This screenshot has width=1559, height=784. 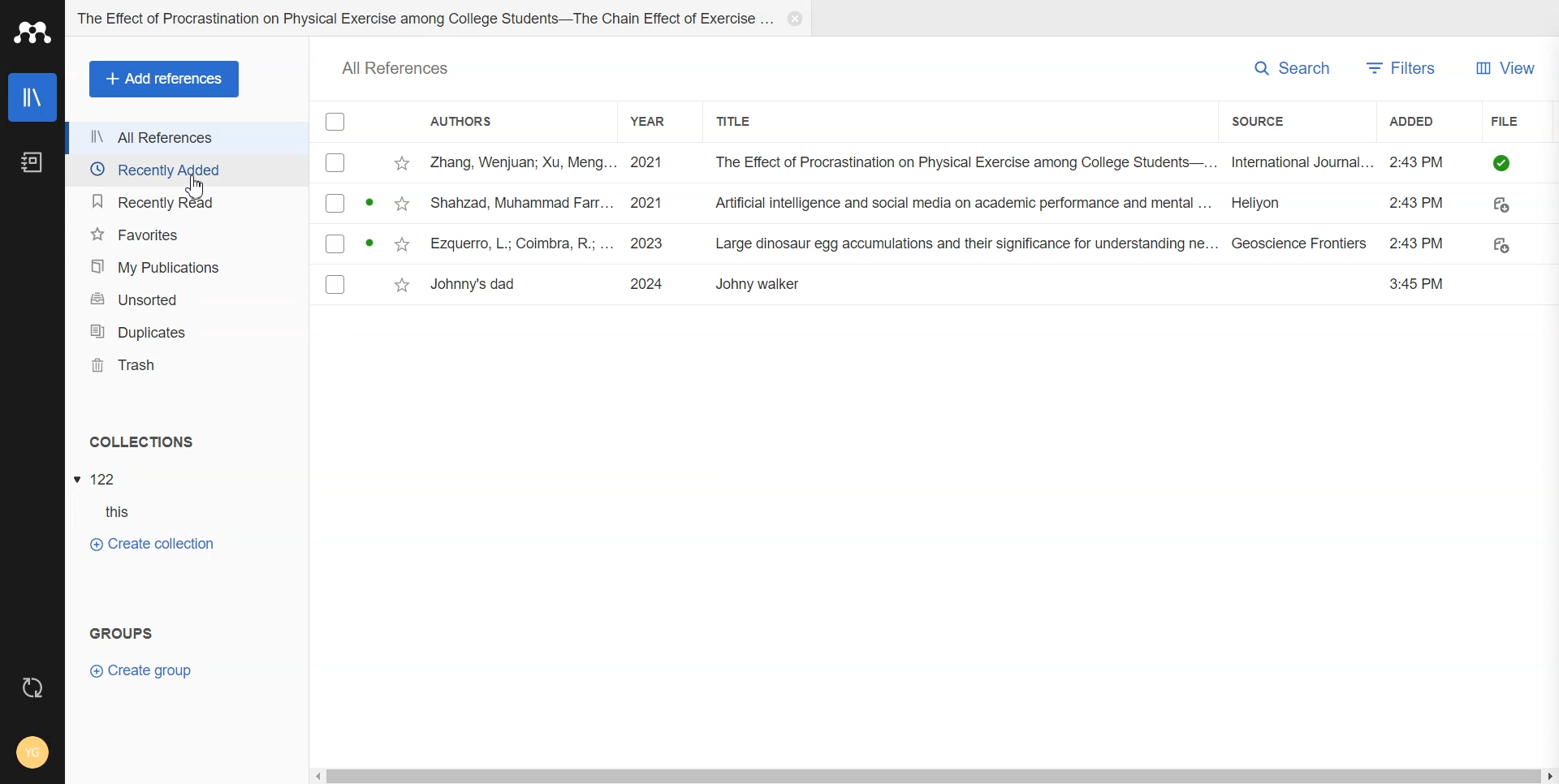 What do you see at coordinates (184, 331) in the screenshot?
I see `Duplicates` at bounding box center [184, 331].